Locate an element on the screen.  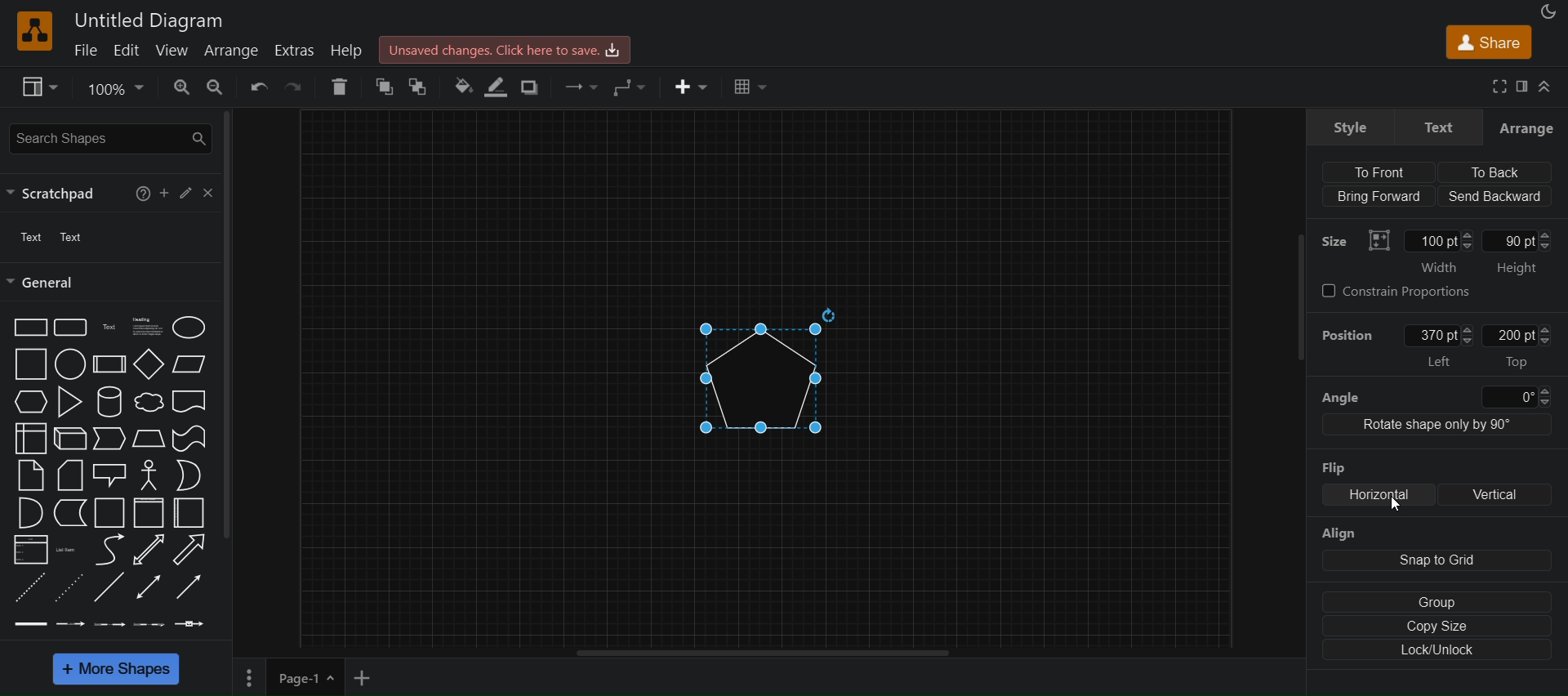
Note is located at coordinates (31, 476).